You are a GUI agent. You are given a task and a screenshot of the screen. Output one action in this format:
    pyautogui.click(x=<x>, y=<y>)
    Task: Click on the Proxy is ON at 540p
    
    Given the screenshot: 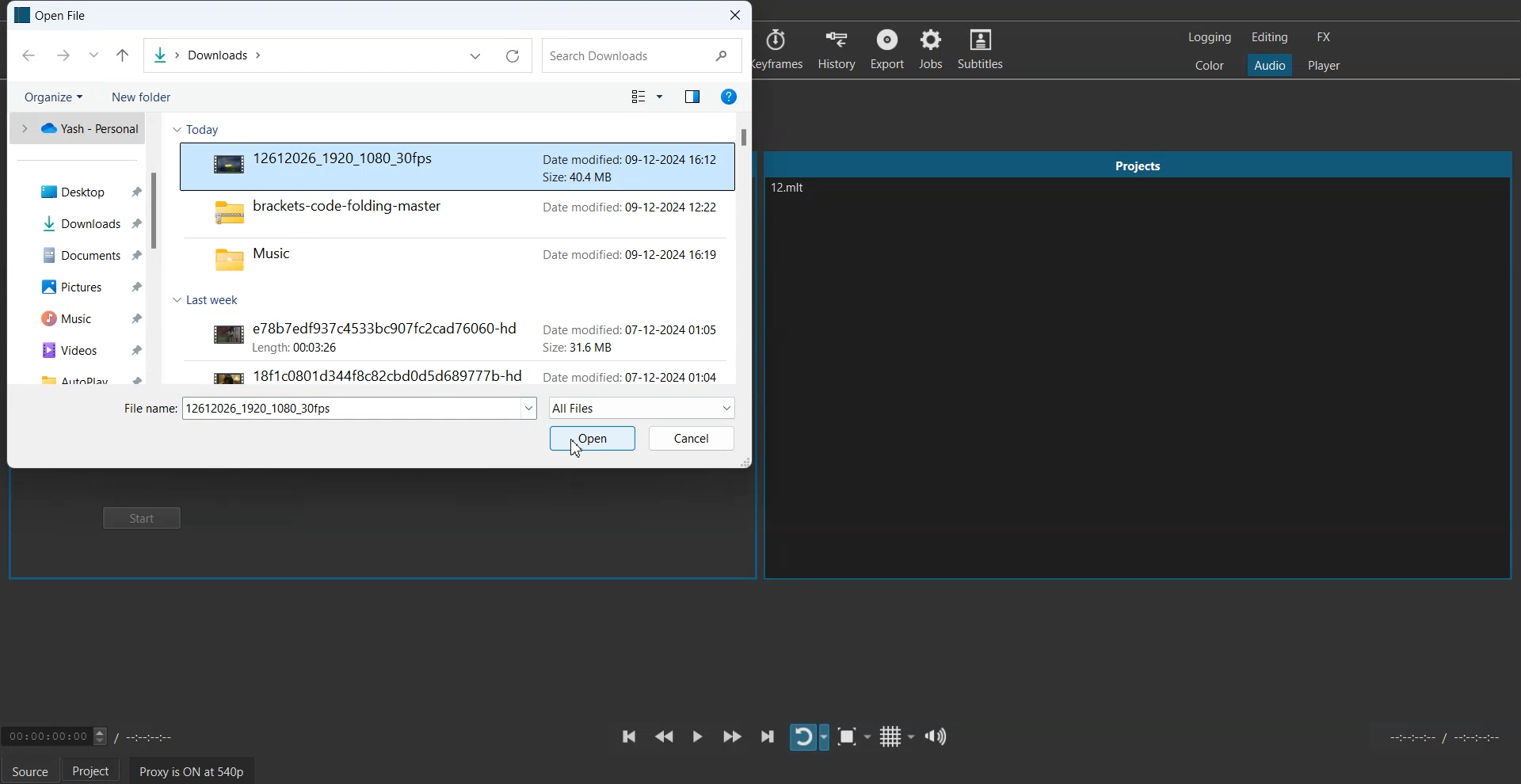 What is the action you would take?
    pyautogui.click(x=193, y=771)
    